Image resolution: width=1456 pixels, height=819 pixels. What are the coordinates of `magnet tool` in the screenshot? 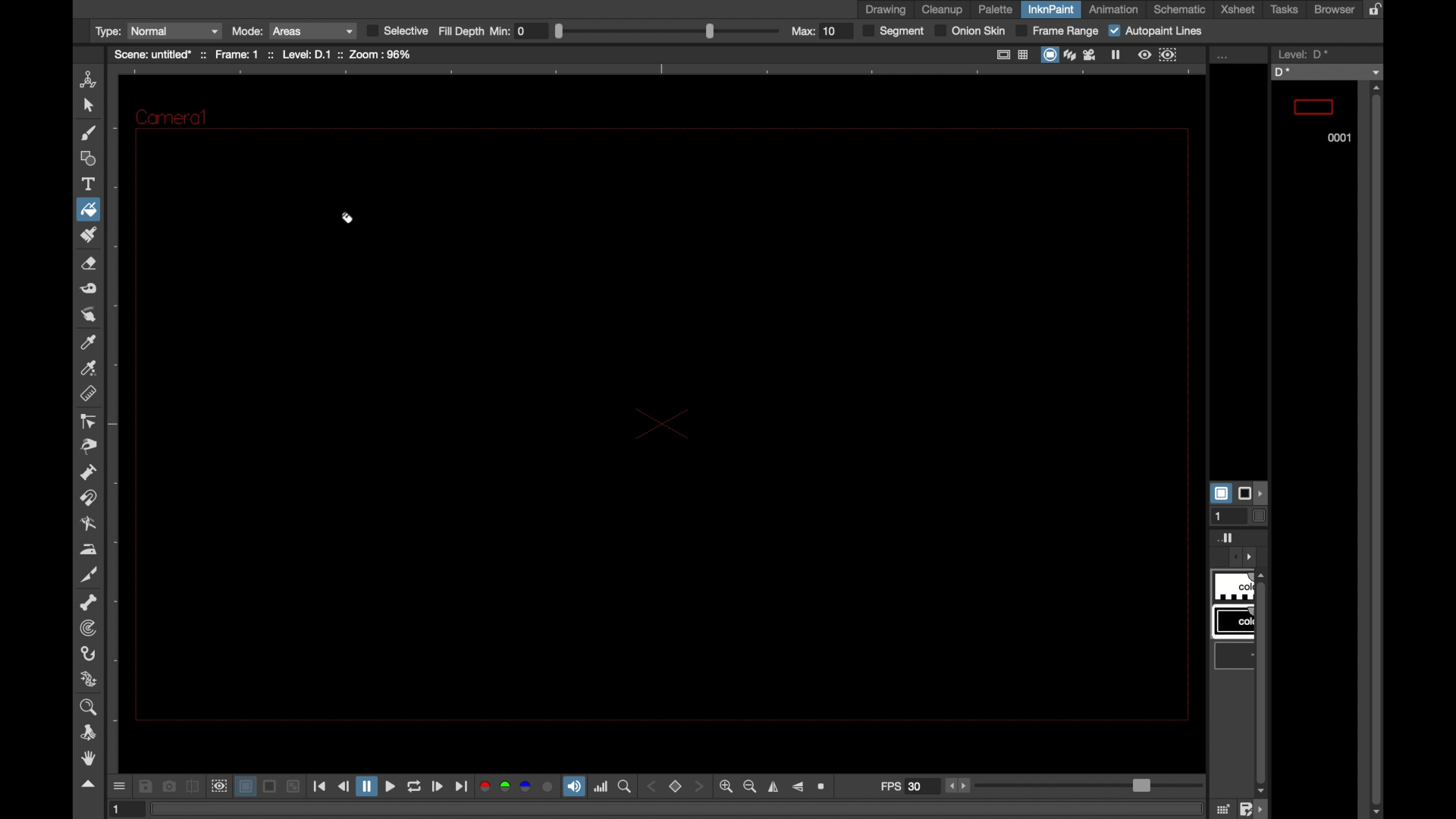 It's located at (87, 498).